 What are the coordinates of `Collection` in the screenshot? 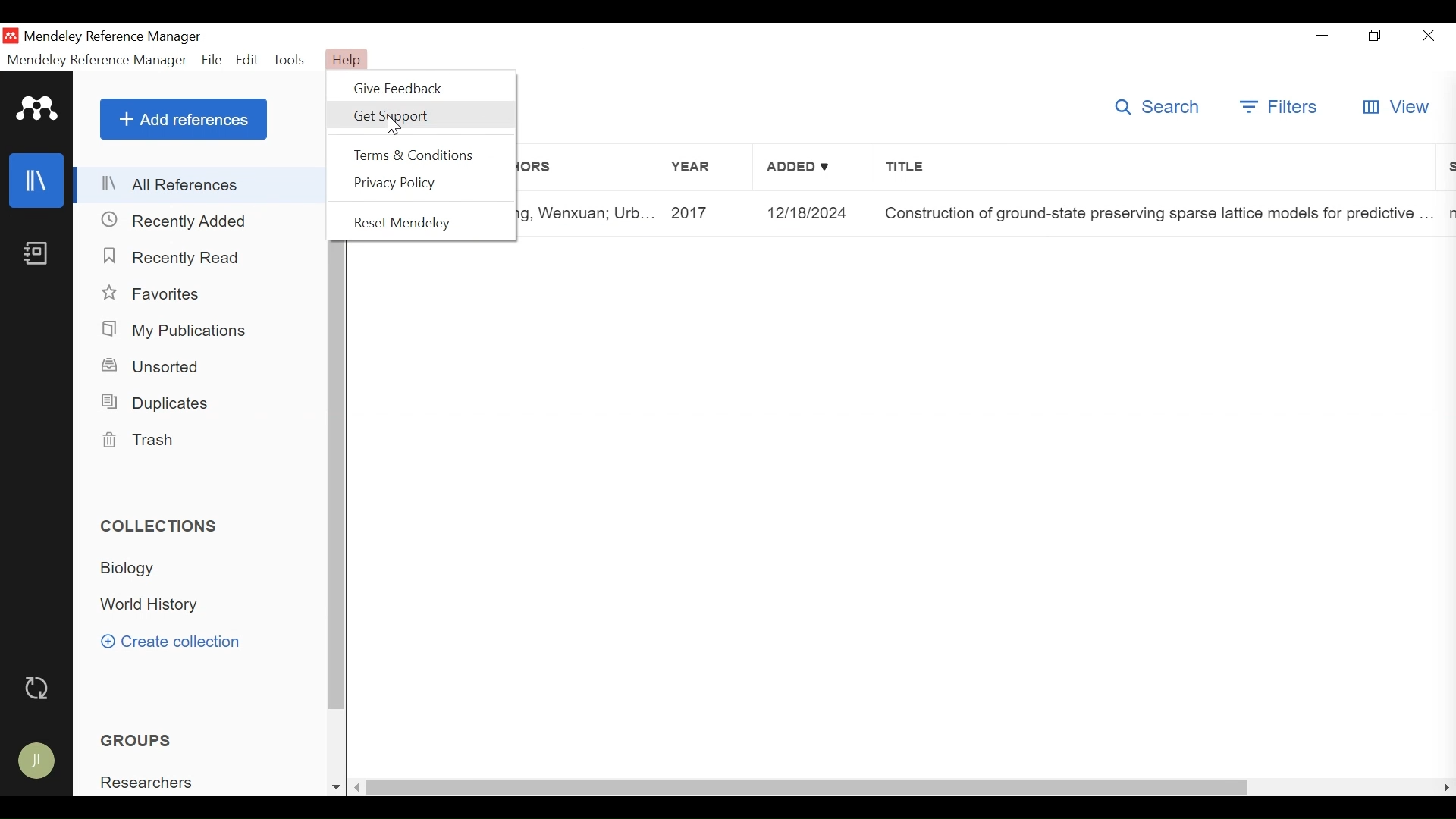 It's located at (133, 569).